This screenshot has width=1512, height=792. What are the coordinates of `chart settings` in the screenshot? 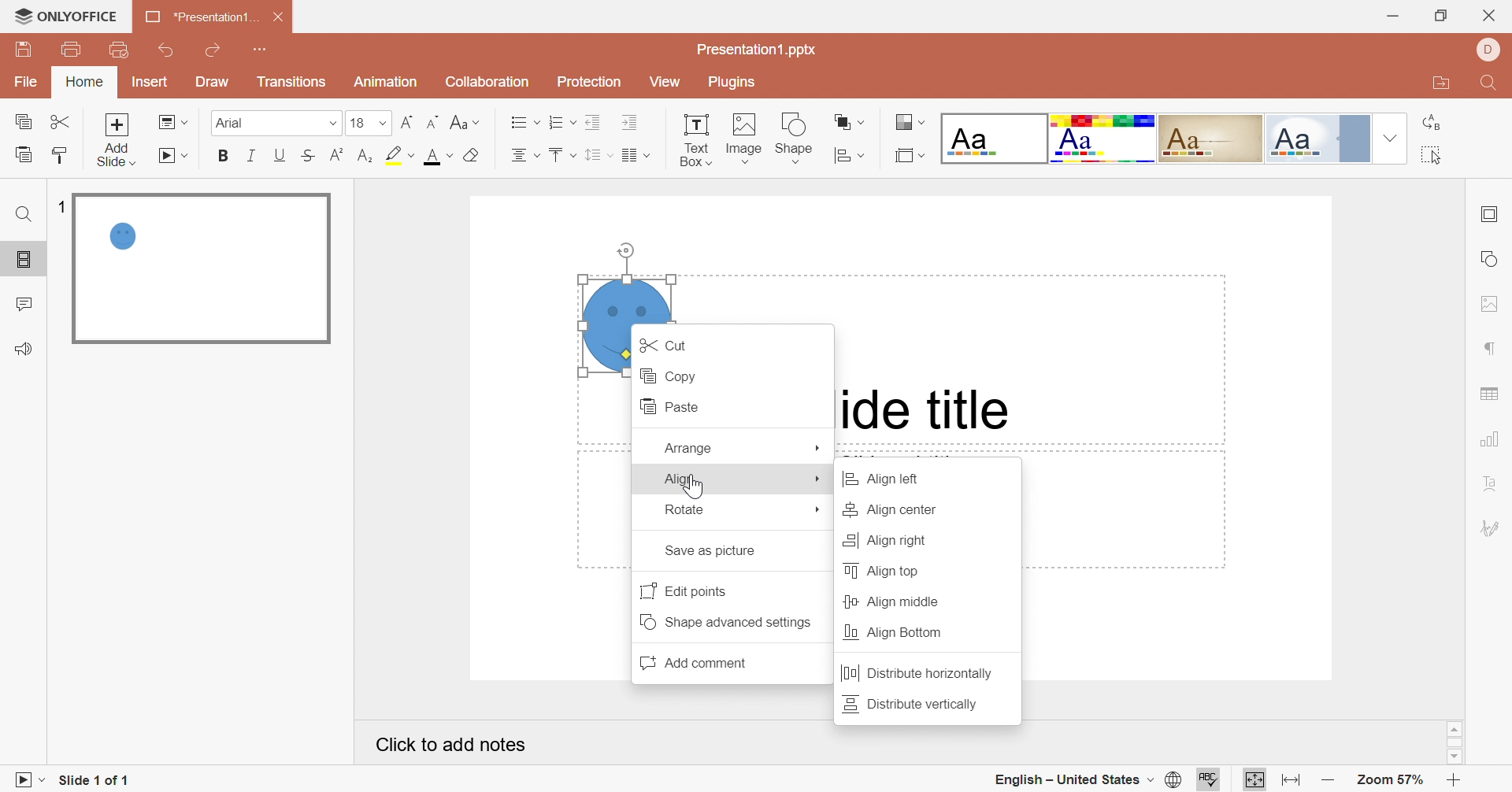 It's located at (1493, 439).